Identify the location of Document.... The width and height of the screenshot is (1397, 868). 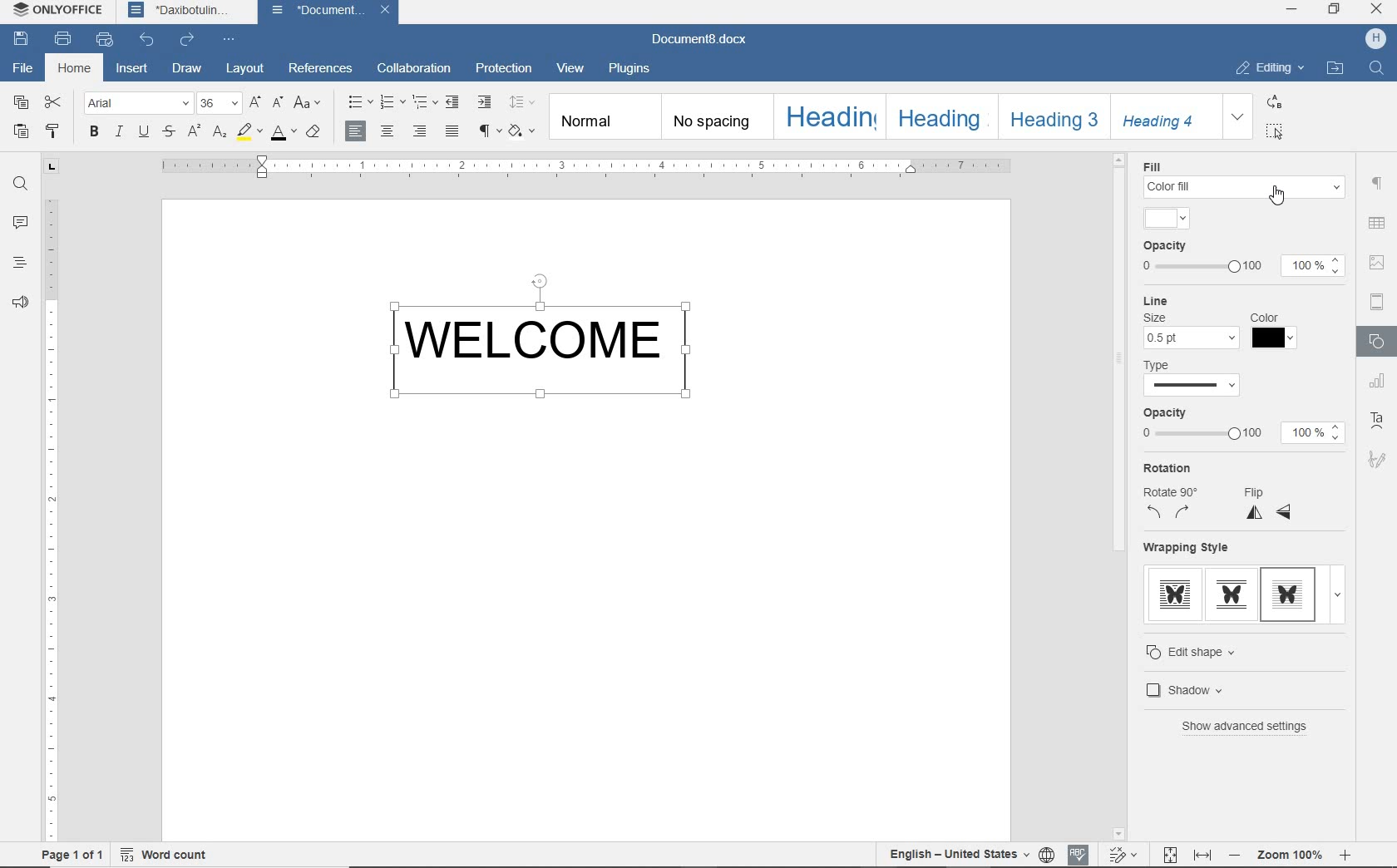
(318, 11).